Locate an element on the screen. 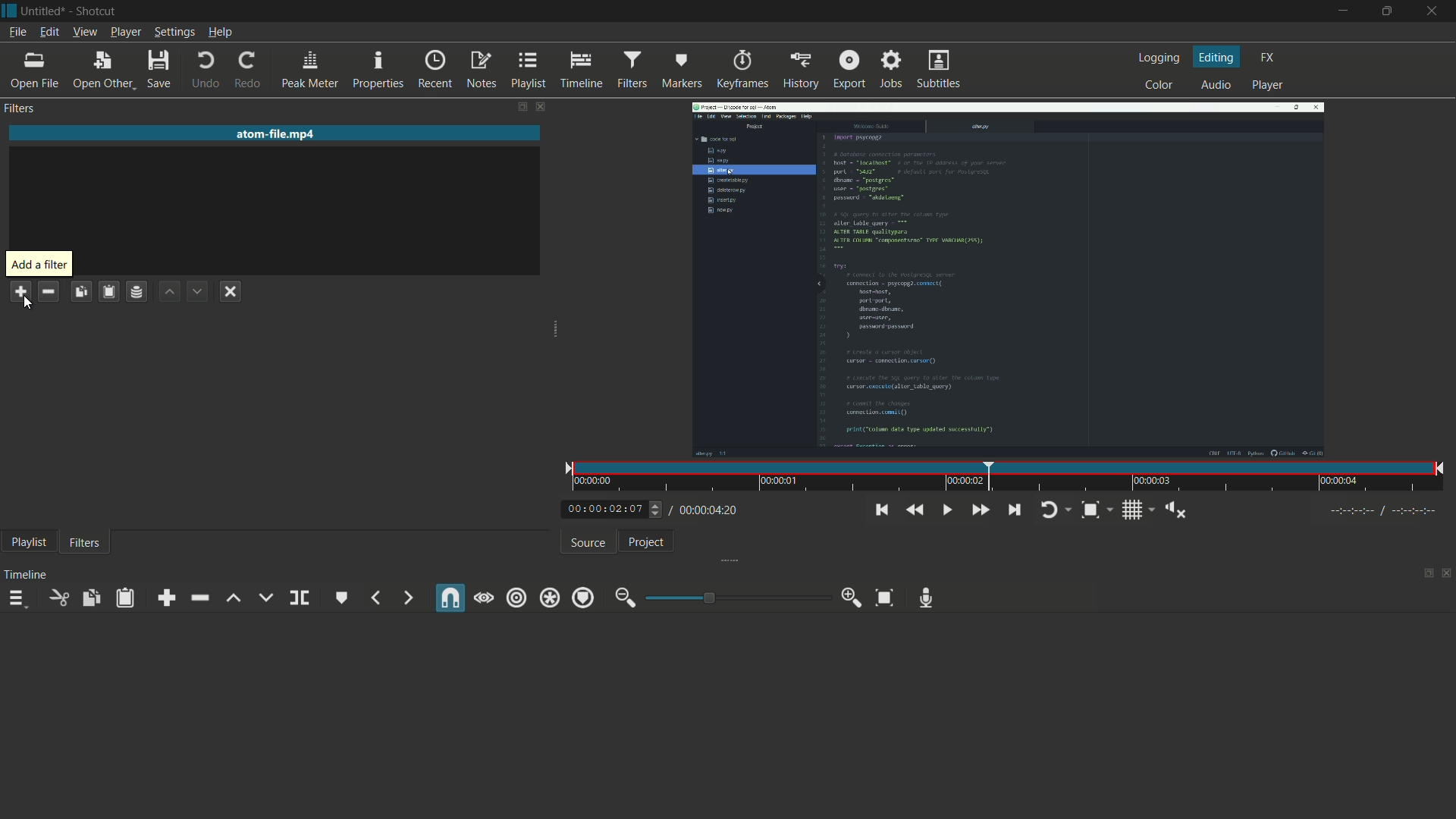  undo is located at coordinates (206, 70).